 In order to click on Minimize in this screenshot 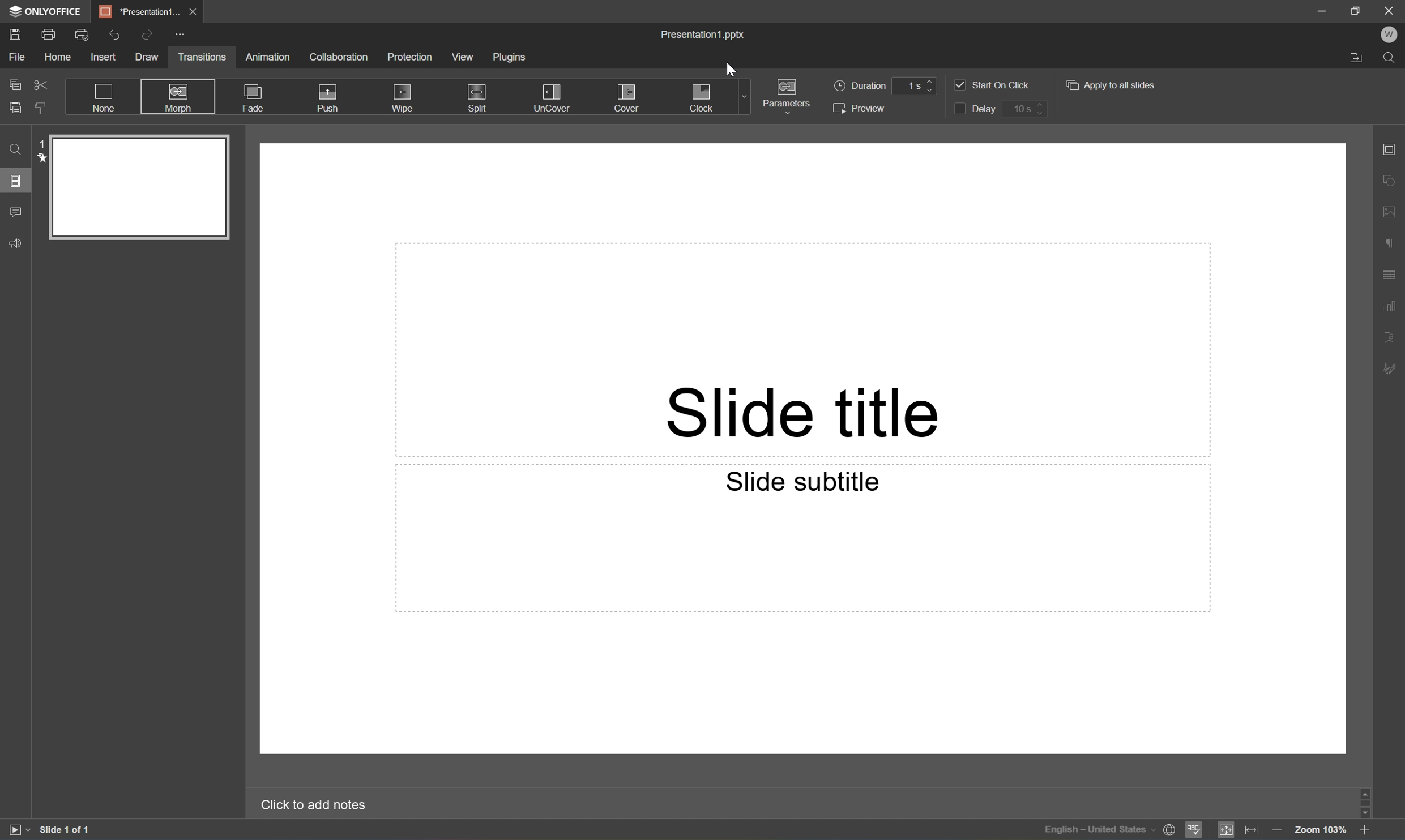, I will do `click(1319, 13)`.